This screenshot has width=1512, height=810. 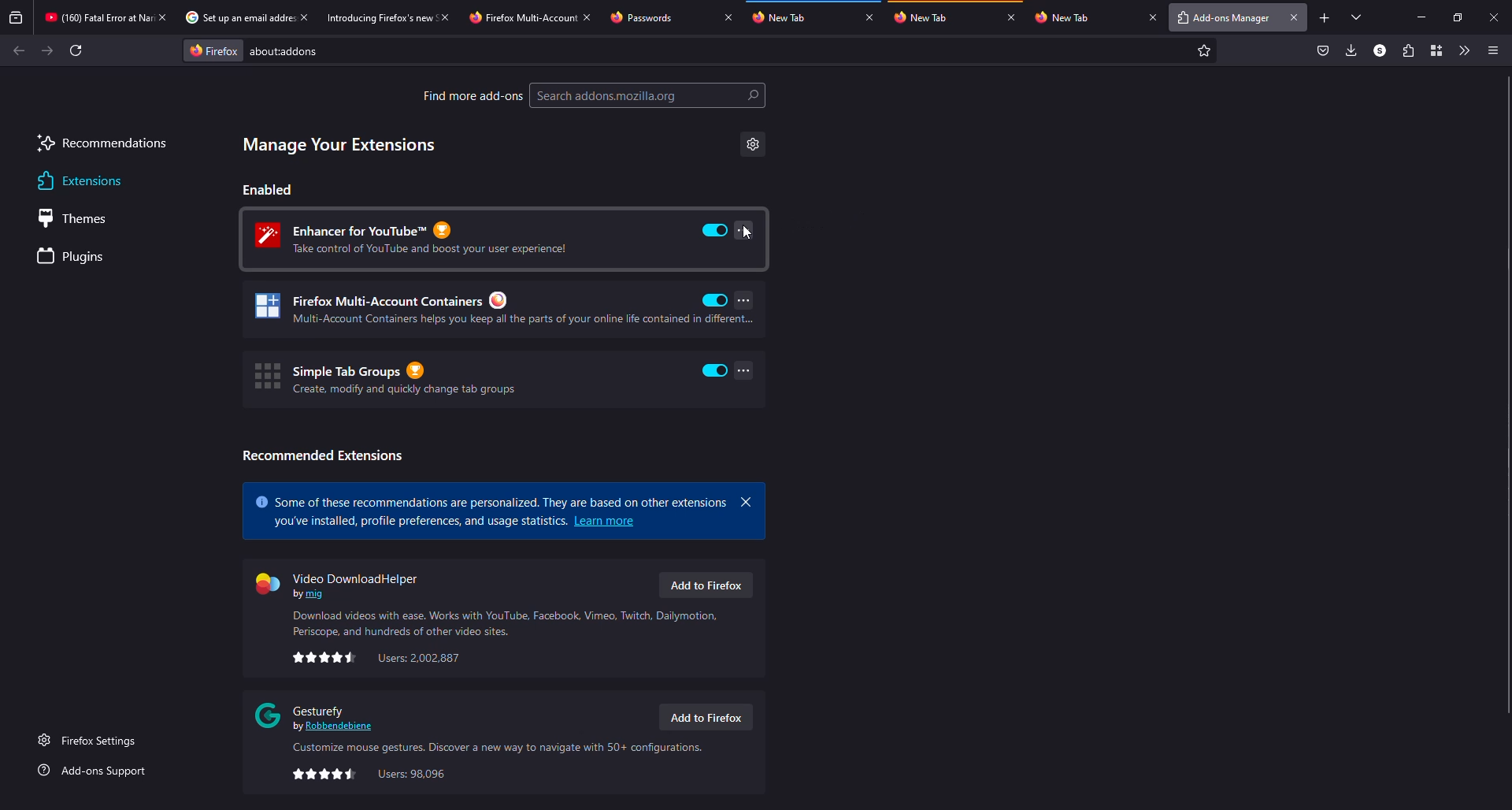 What do you see at coordinates (1011, 17) in the screenshot?
I see `close` at bounding box center [1011, 17].